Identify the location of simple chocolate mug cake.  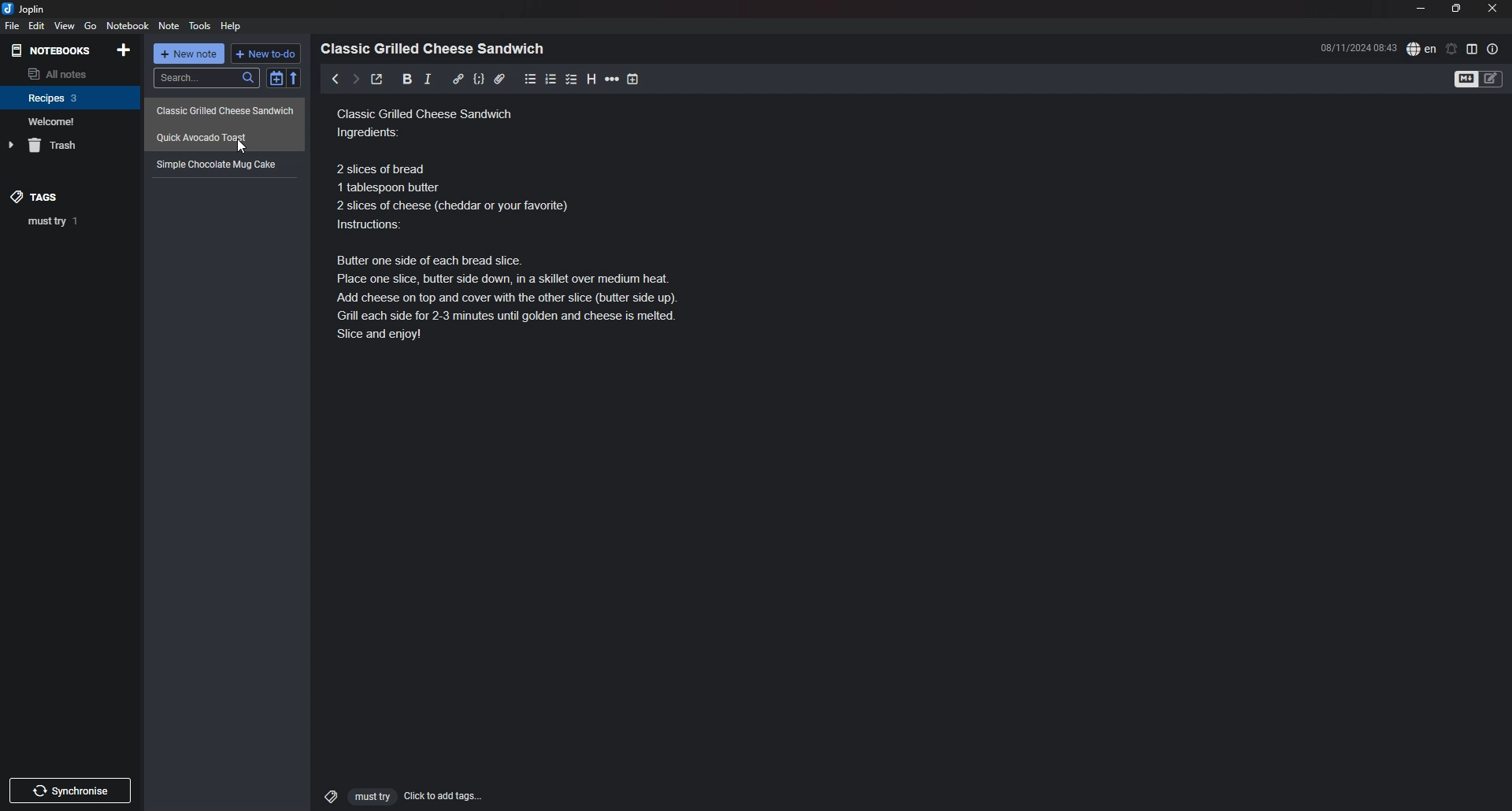
(540, 274).